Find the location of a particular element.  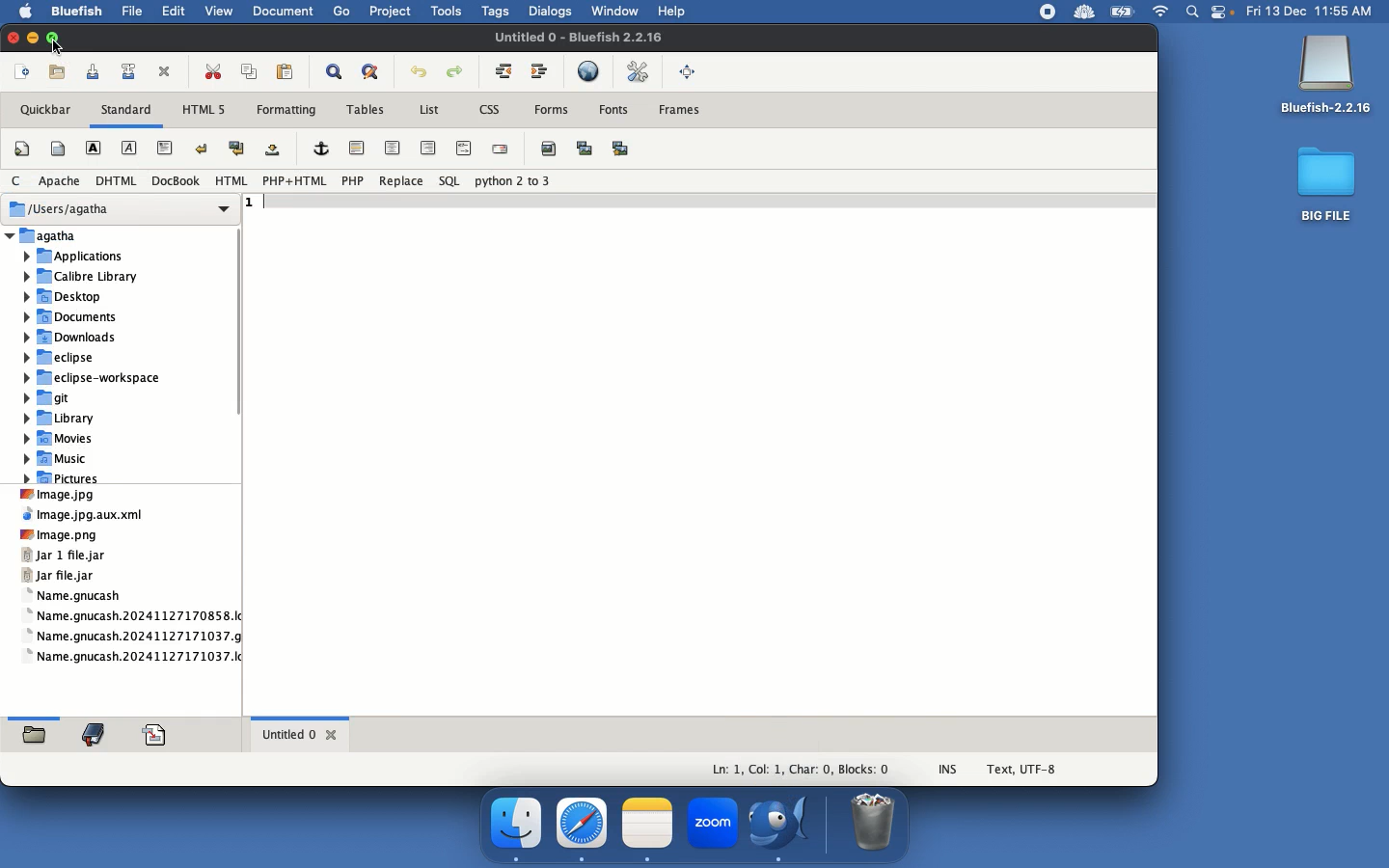

Edit preferences is located at coordinates (639, 72).